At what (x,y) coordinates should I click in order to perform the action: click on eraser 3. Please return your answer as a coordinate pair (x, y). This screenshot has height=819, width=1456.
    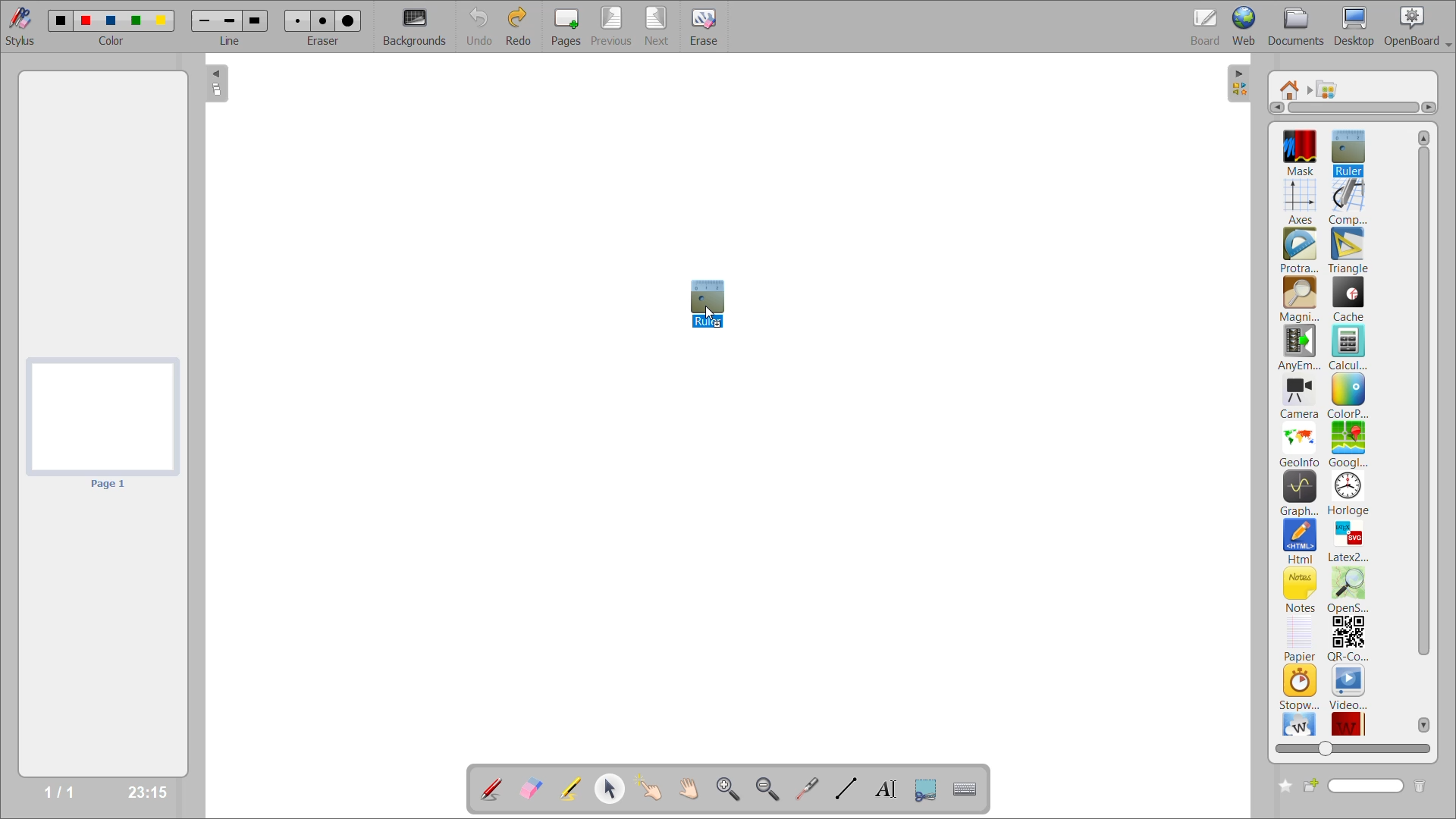
    Looking at the image, I should click on (348, 20).